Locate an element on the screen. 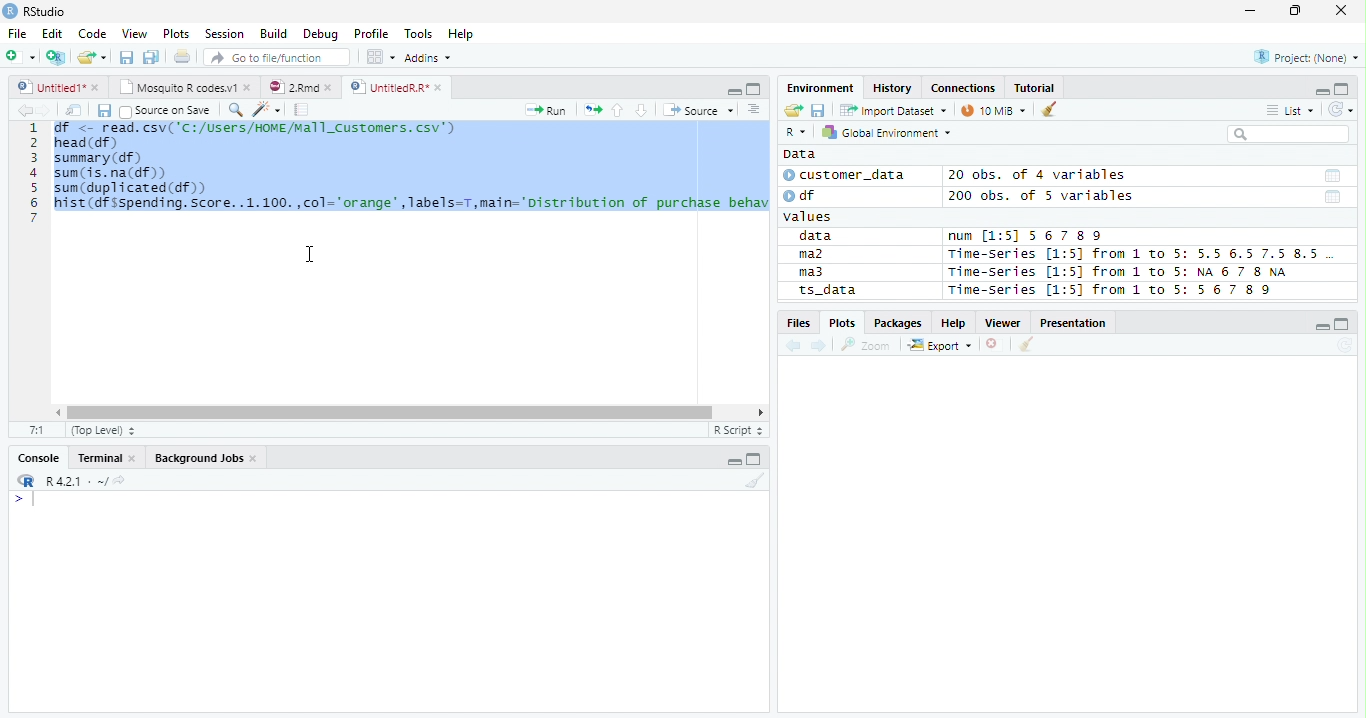  Global Environment is located at coordinates (887, 132).